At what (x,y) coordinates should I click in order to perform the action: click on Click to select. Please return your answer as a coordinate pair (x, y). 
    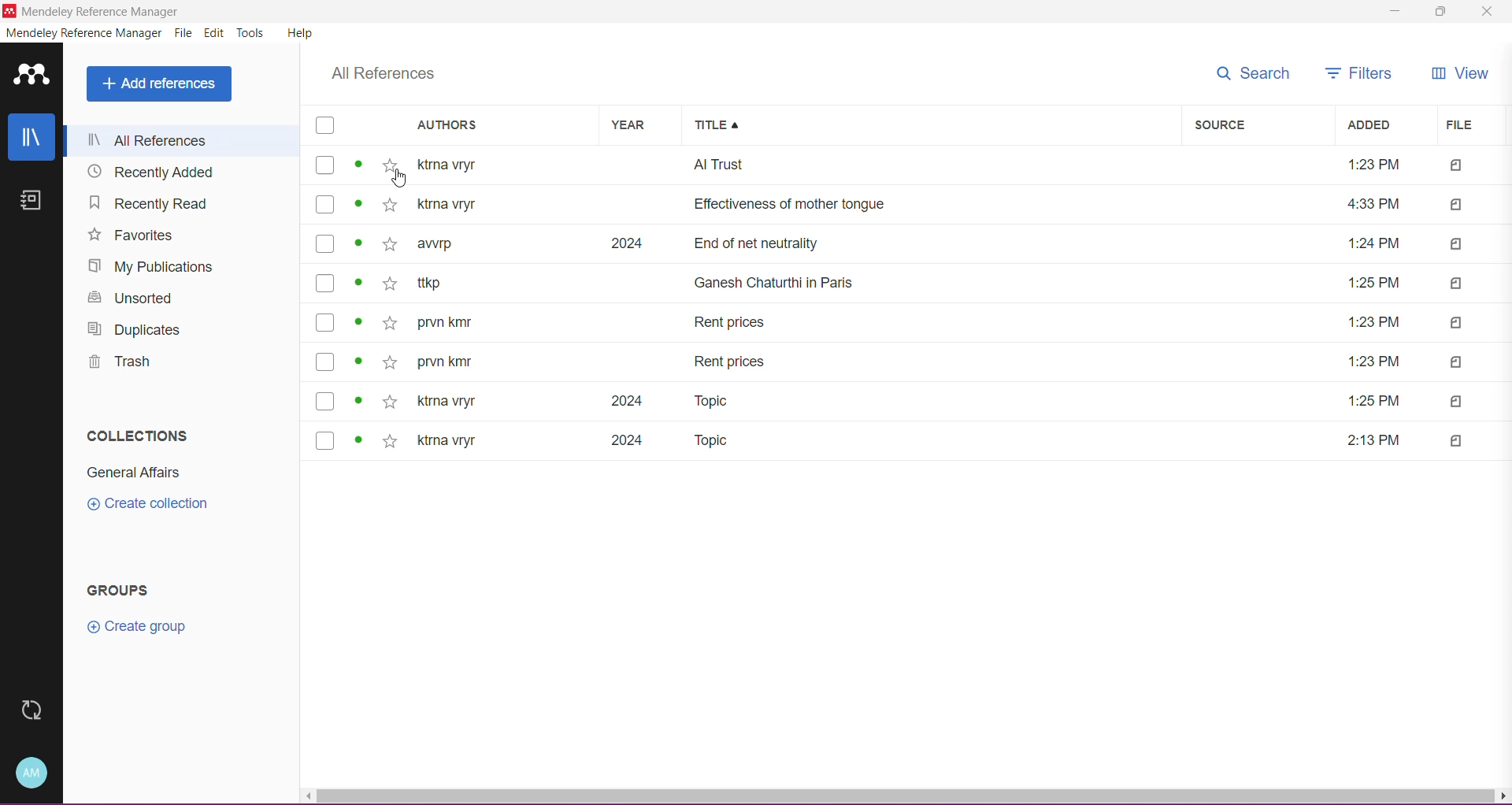
    Looking at the image, I should click on (325, 165).